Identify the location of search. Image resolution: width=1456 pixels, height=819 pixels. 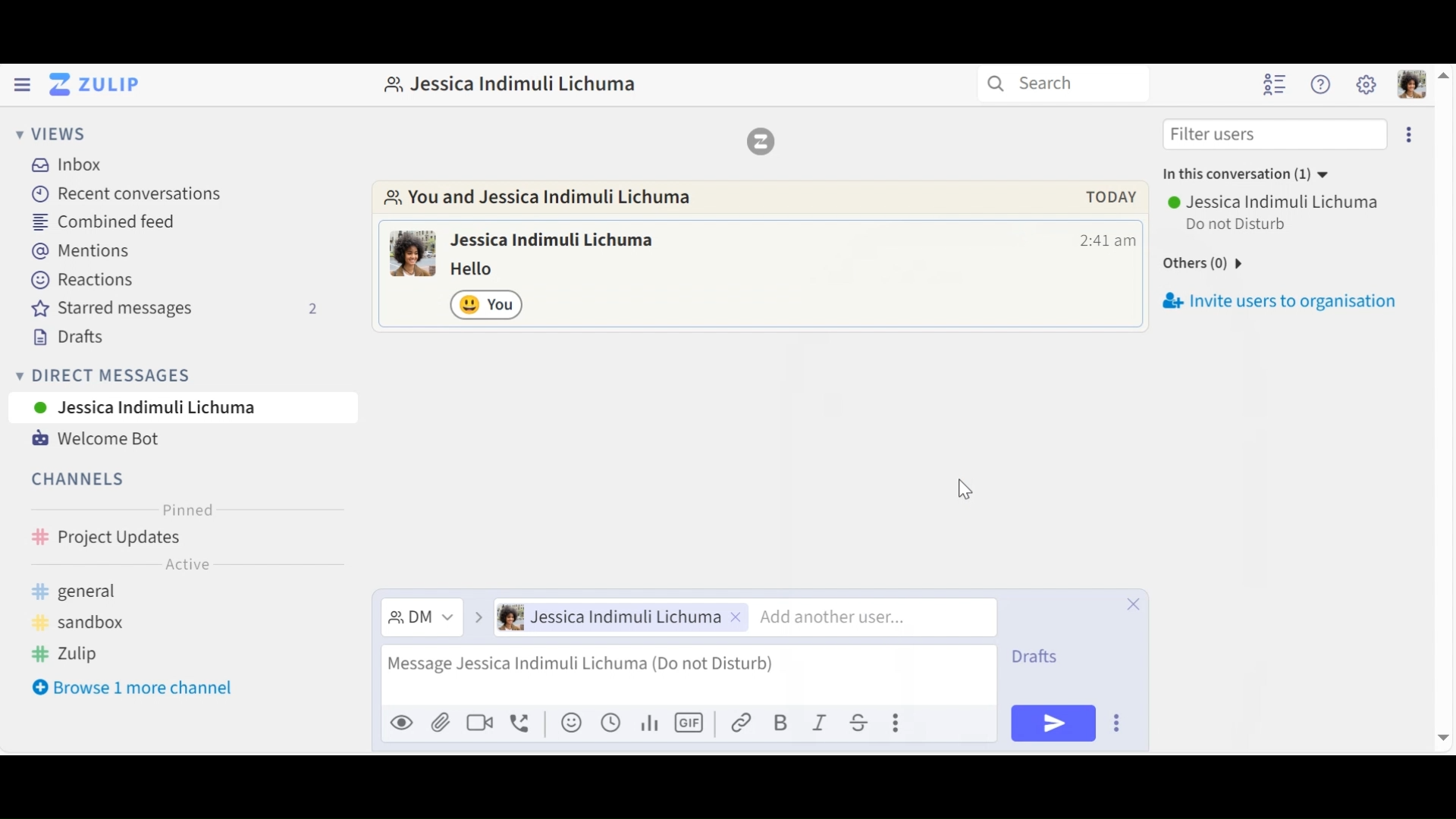
(1061, 84).